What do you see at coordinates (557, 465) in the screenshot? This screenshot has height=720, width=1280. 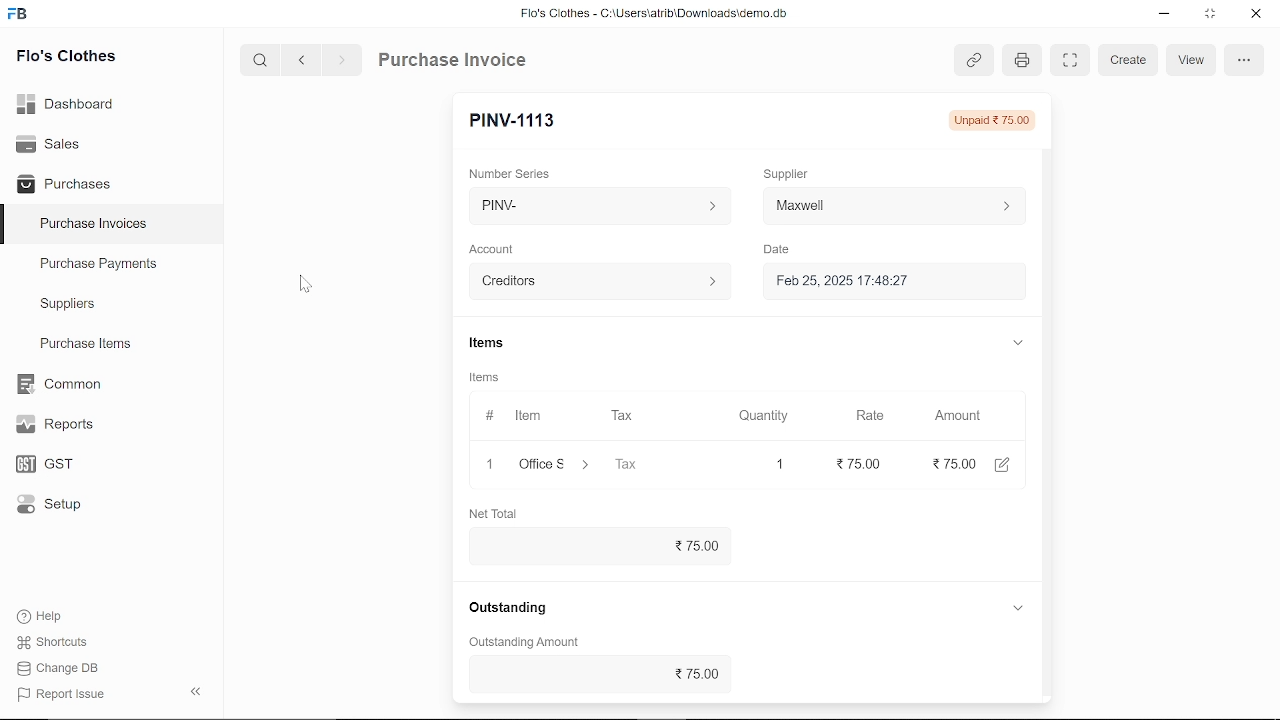 I see `Office supplies` at bounding box center [557, 465].